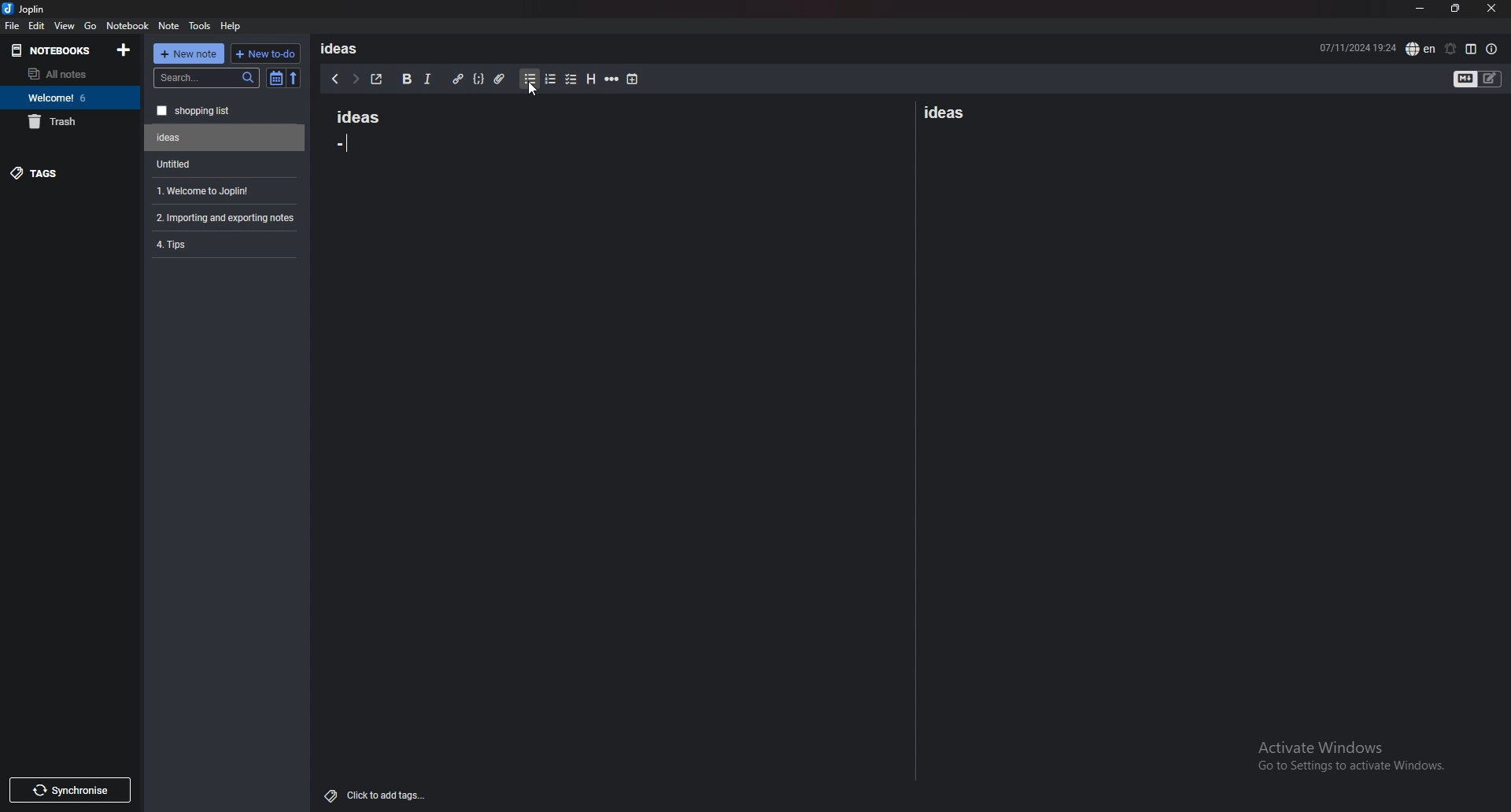 Image resolution: width=1511 pixels, height=812 pixels. Describe the element at coordinates (91, 24) in the screenshot. I see `go` at that location.